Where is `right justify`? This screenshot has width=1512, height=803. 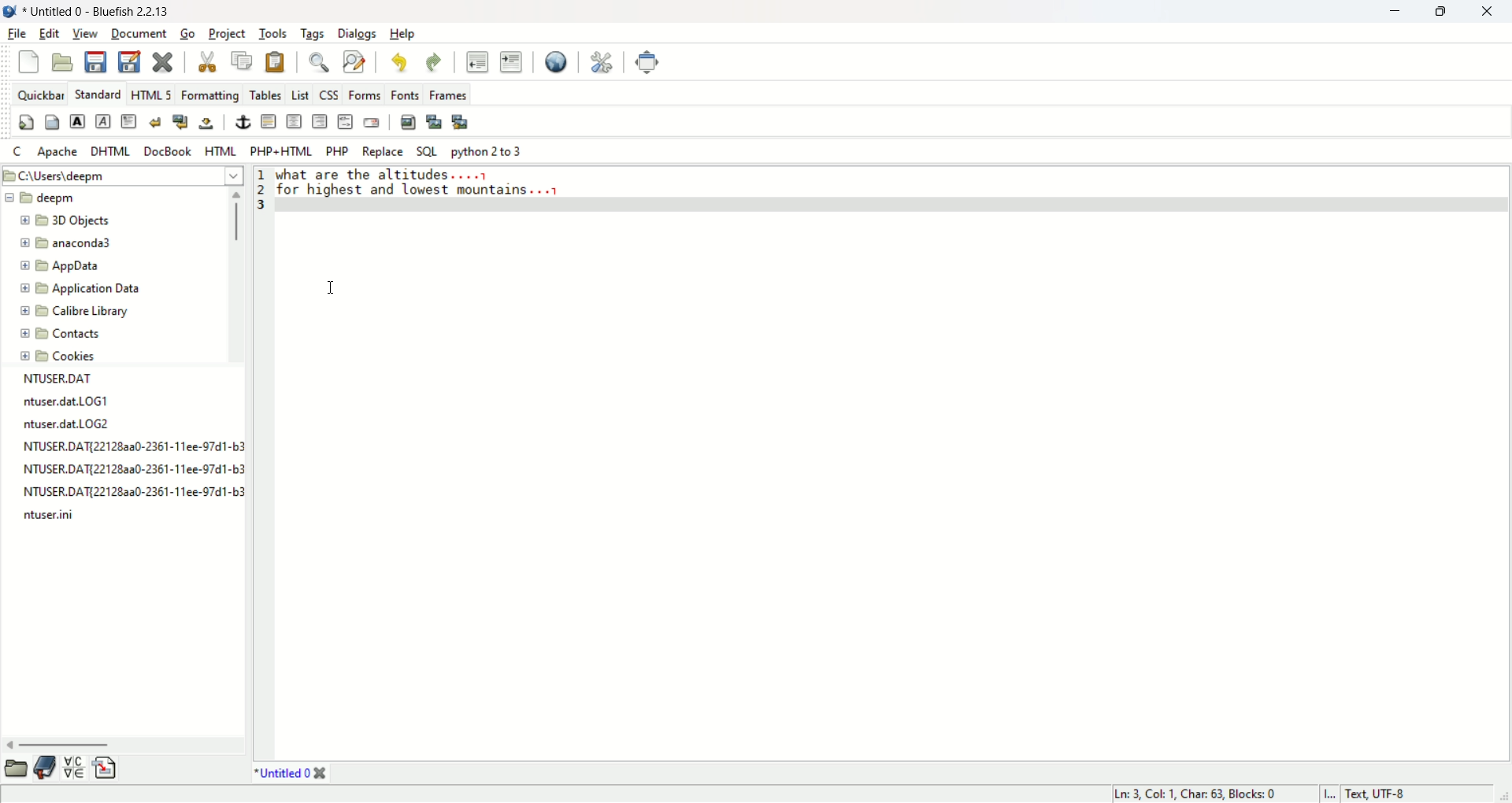
right justify is located at coordinates (320, 122).